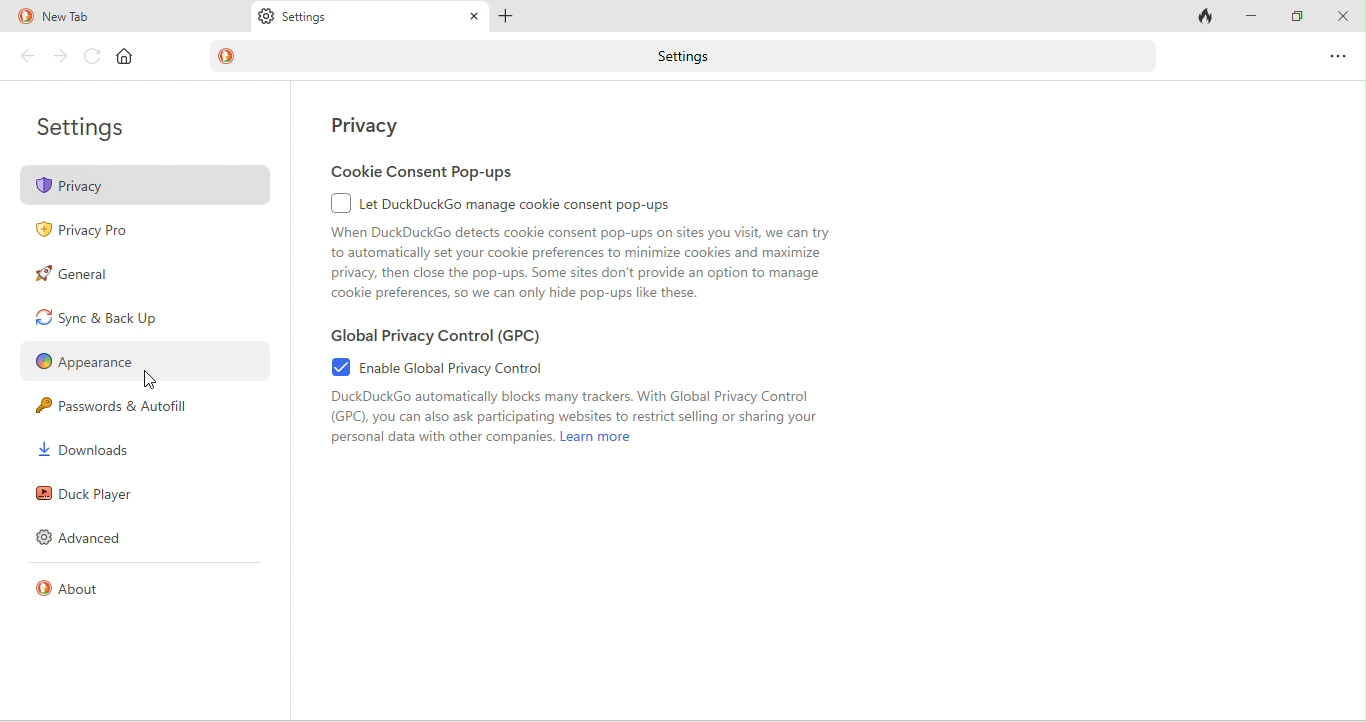 The width and height of the screenshot is (1366, 722). I want to click on learn more, so click(598, 442).